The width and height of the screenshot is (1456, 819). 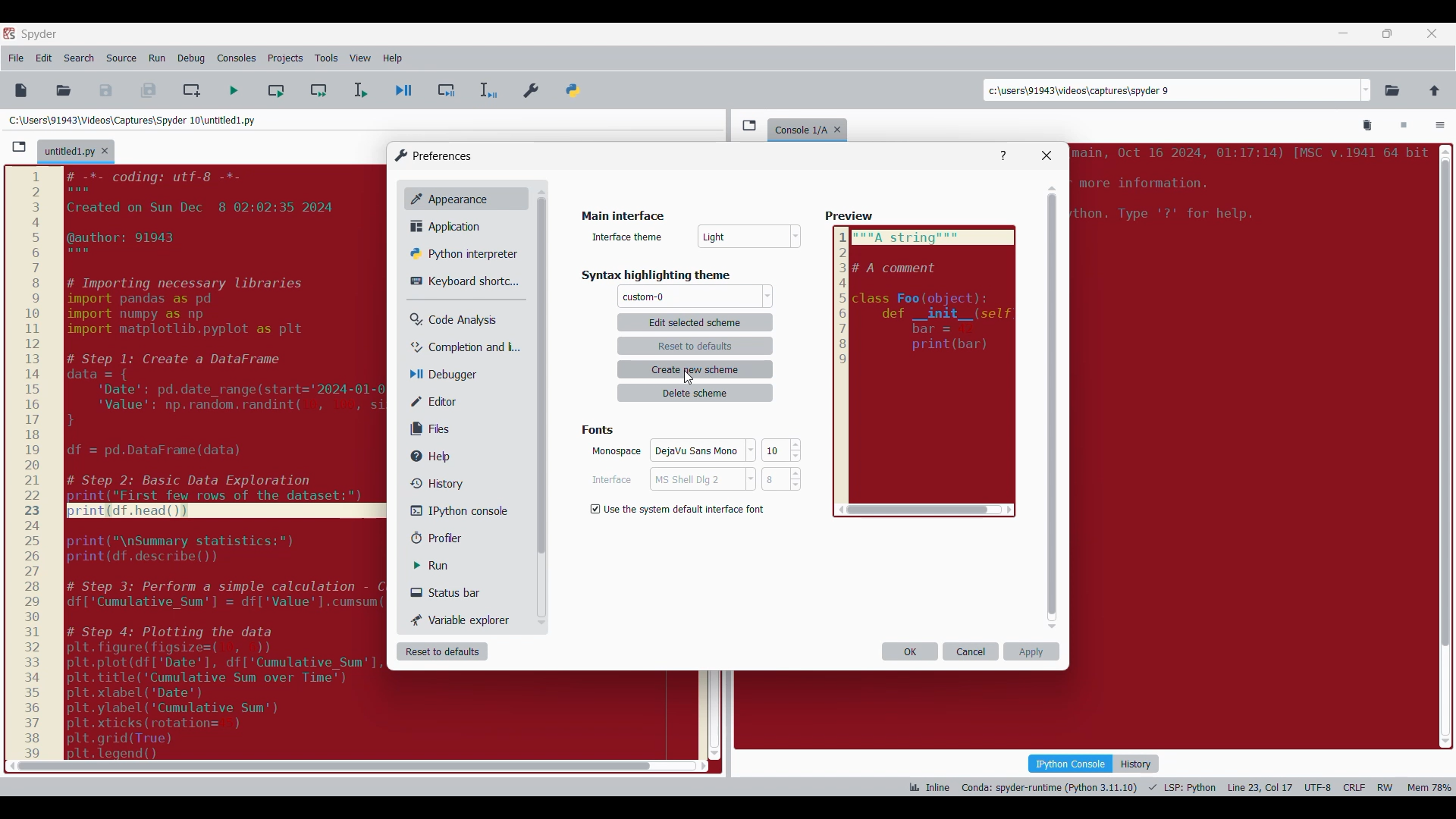 What do you see at coordinates (1070, 763) in the screenshot?
I see `IPython console` at bounding box center [1070, 763].